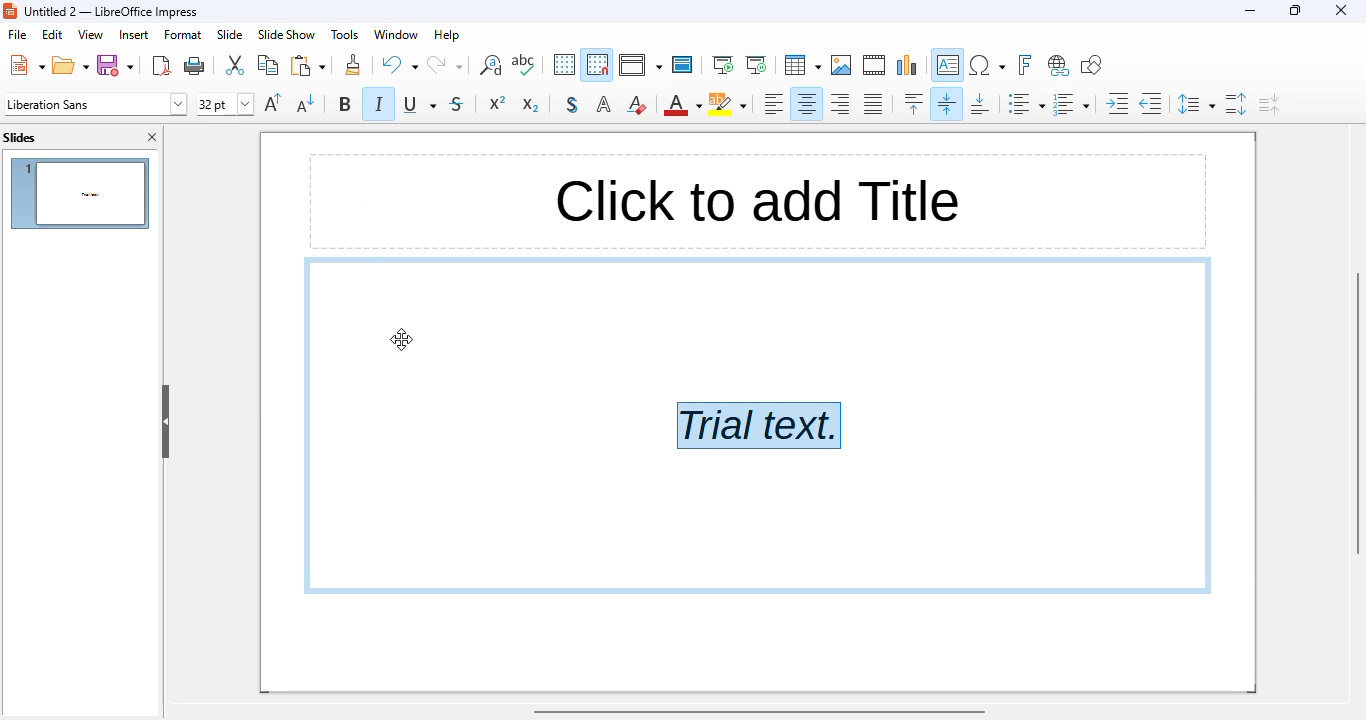 This screenshot has width=1366, height=720. What do you see at coordinates (307, 65) in the screenshot?
I see `paste` at bounding box center [307, 65].